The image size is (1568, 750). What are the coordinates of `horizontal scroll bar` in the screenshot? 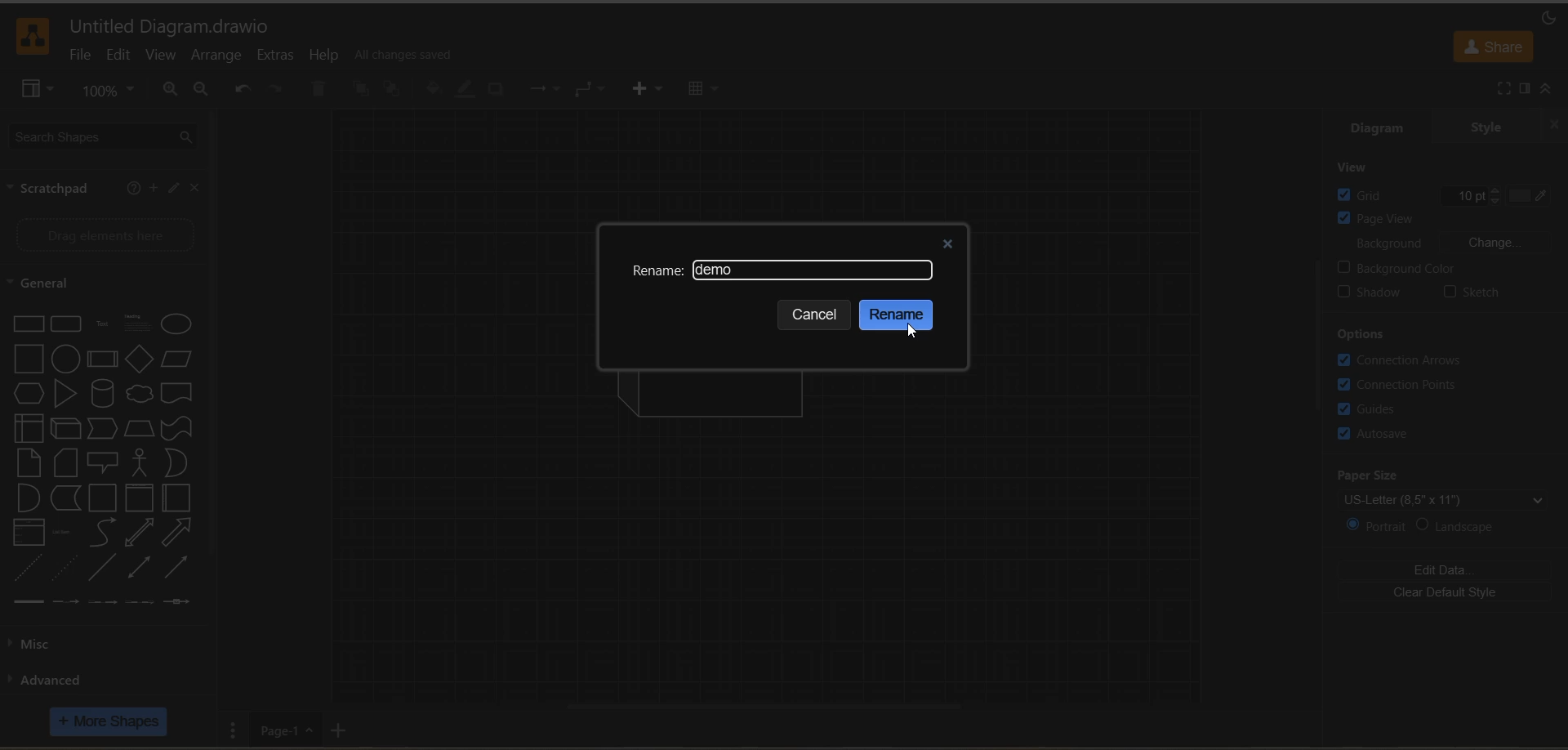 It's located at (768, 705).